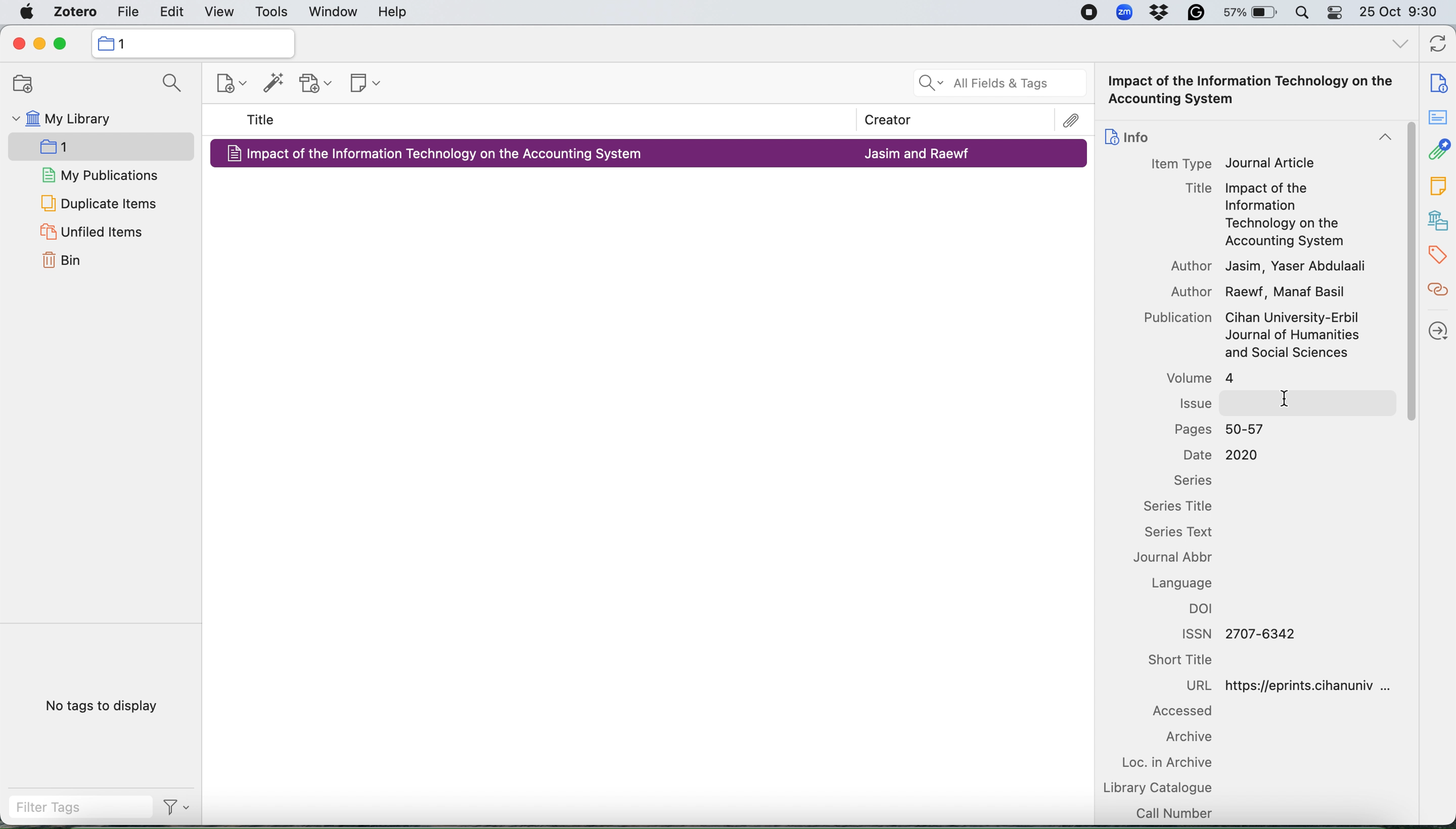  I want to click on sync with zotero.org, so click(1439, 42).